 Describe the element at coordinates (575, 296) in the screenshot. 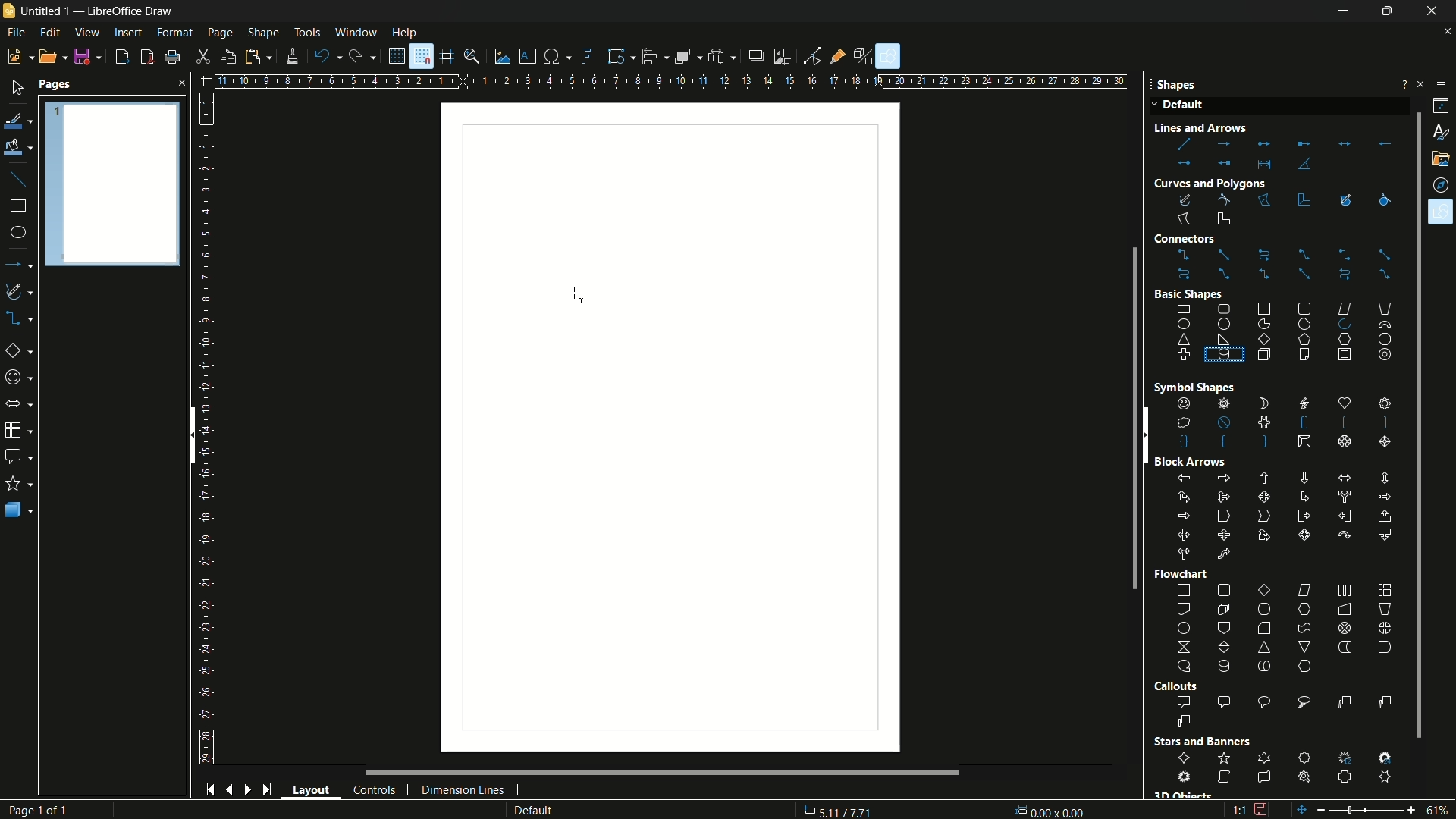

I see `cursor` at that location.